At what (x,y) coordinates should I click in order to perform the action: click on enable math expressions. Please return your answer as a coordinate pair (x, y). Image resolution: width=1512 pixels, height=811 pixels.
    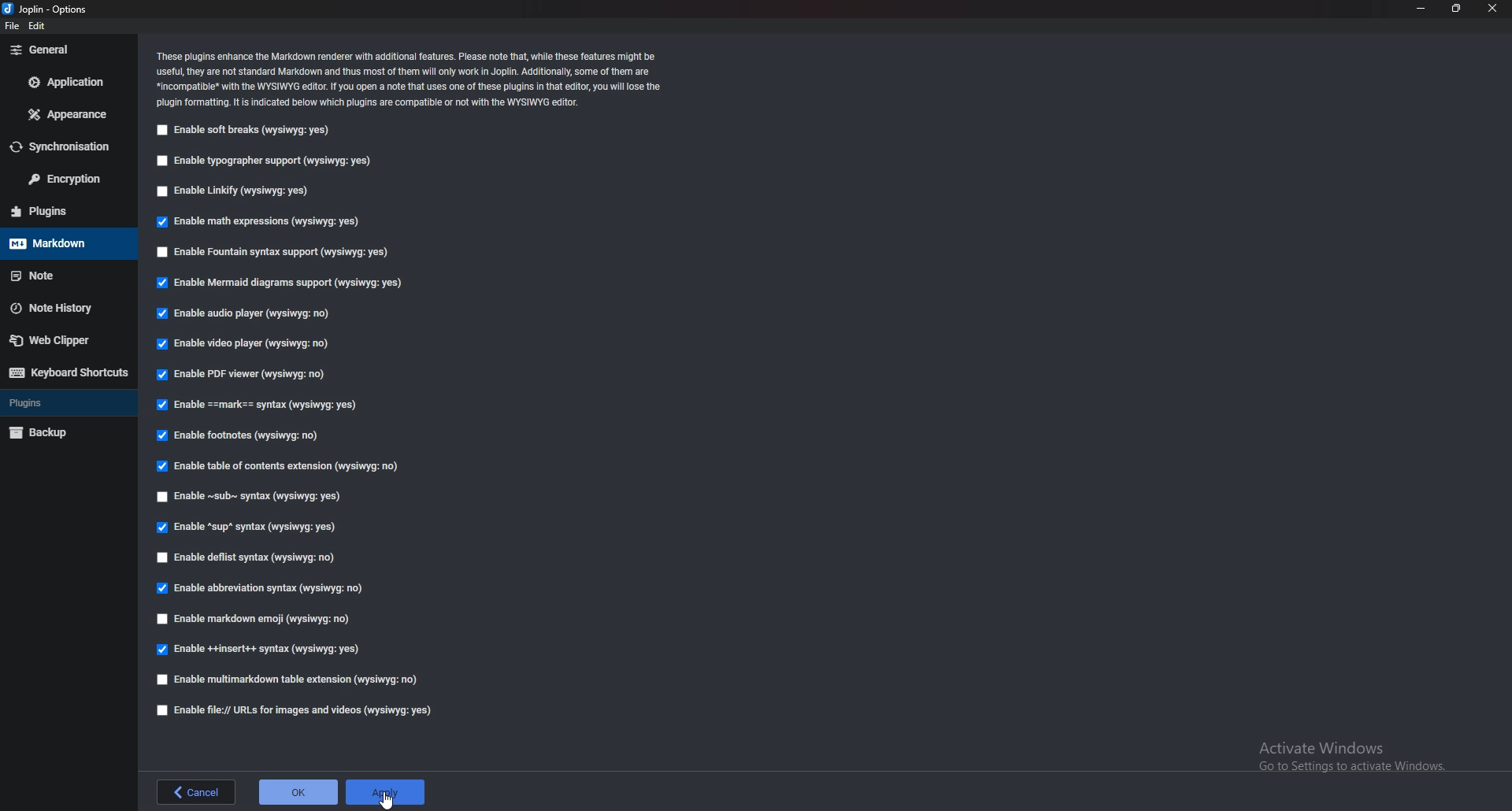
    Looking at the image, I should click on (261, 221).